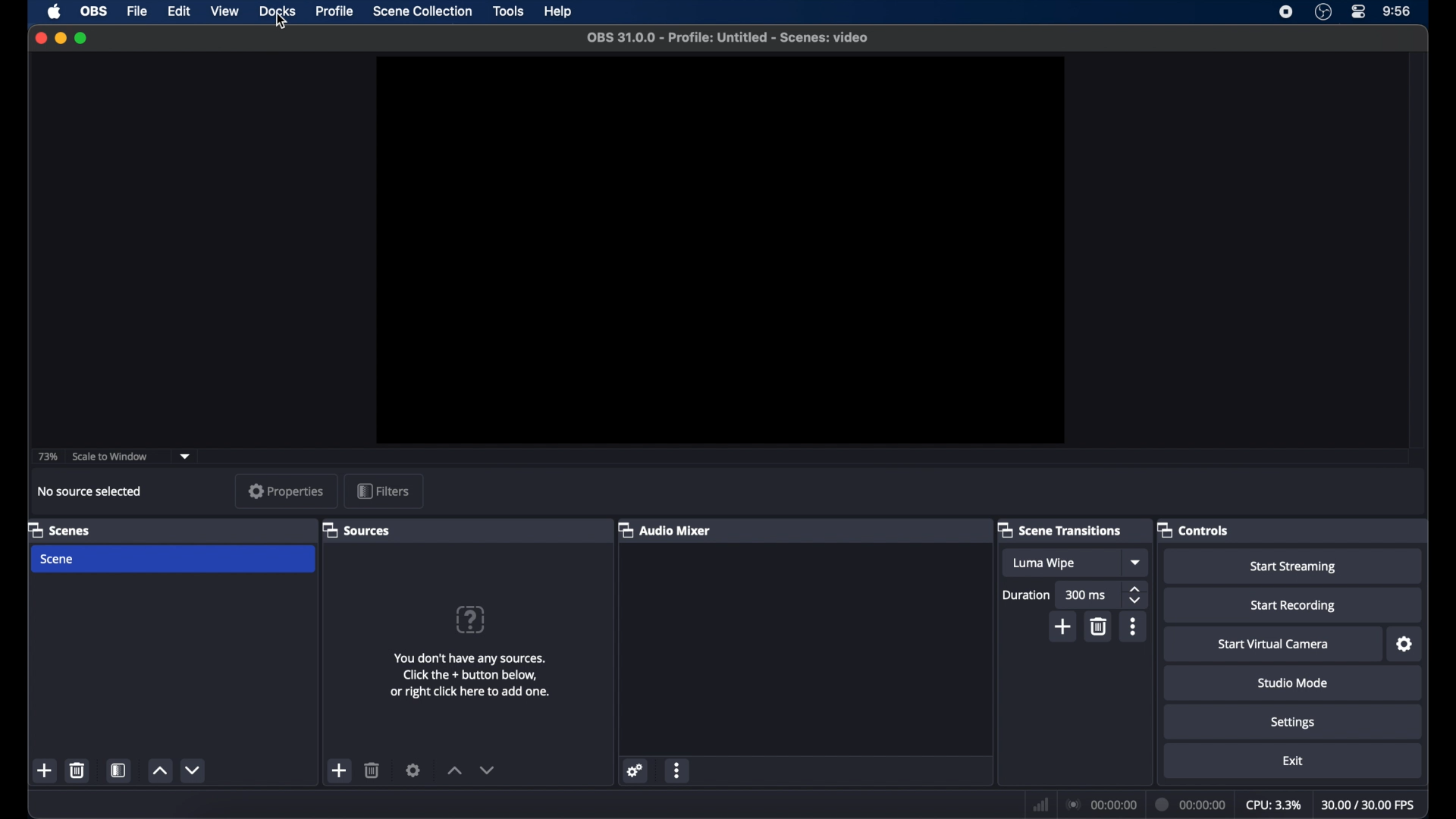 The height and width of the screenshot is (819, 1456). What do you see at coordinates (335, 11) in the screenshot?
I see `profile` at bounding box center [335, 11].